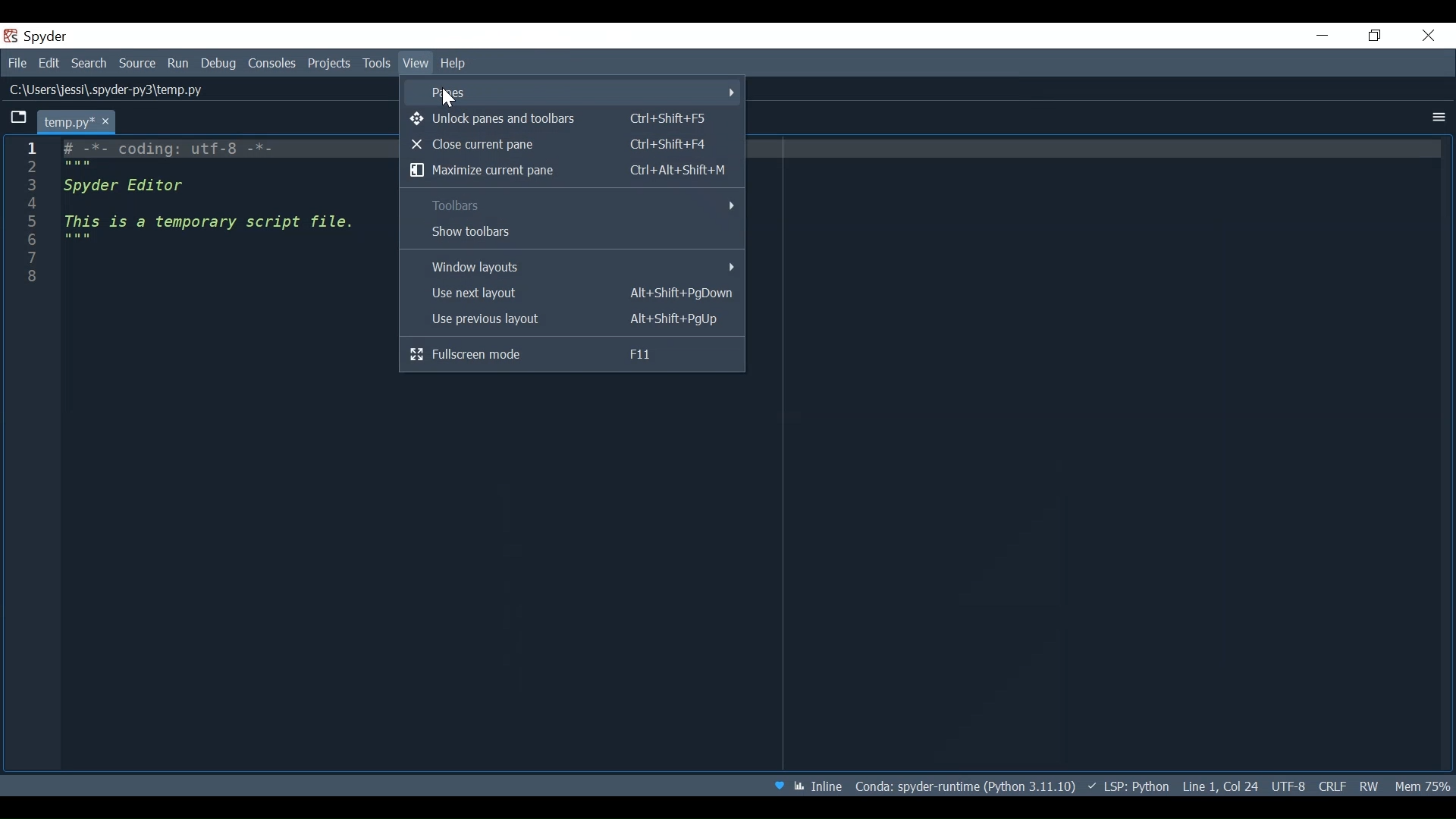  What do you see at coordinates (451, 102) in the screenshot?
I see `Cursor` at bounding box center [451, 102].